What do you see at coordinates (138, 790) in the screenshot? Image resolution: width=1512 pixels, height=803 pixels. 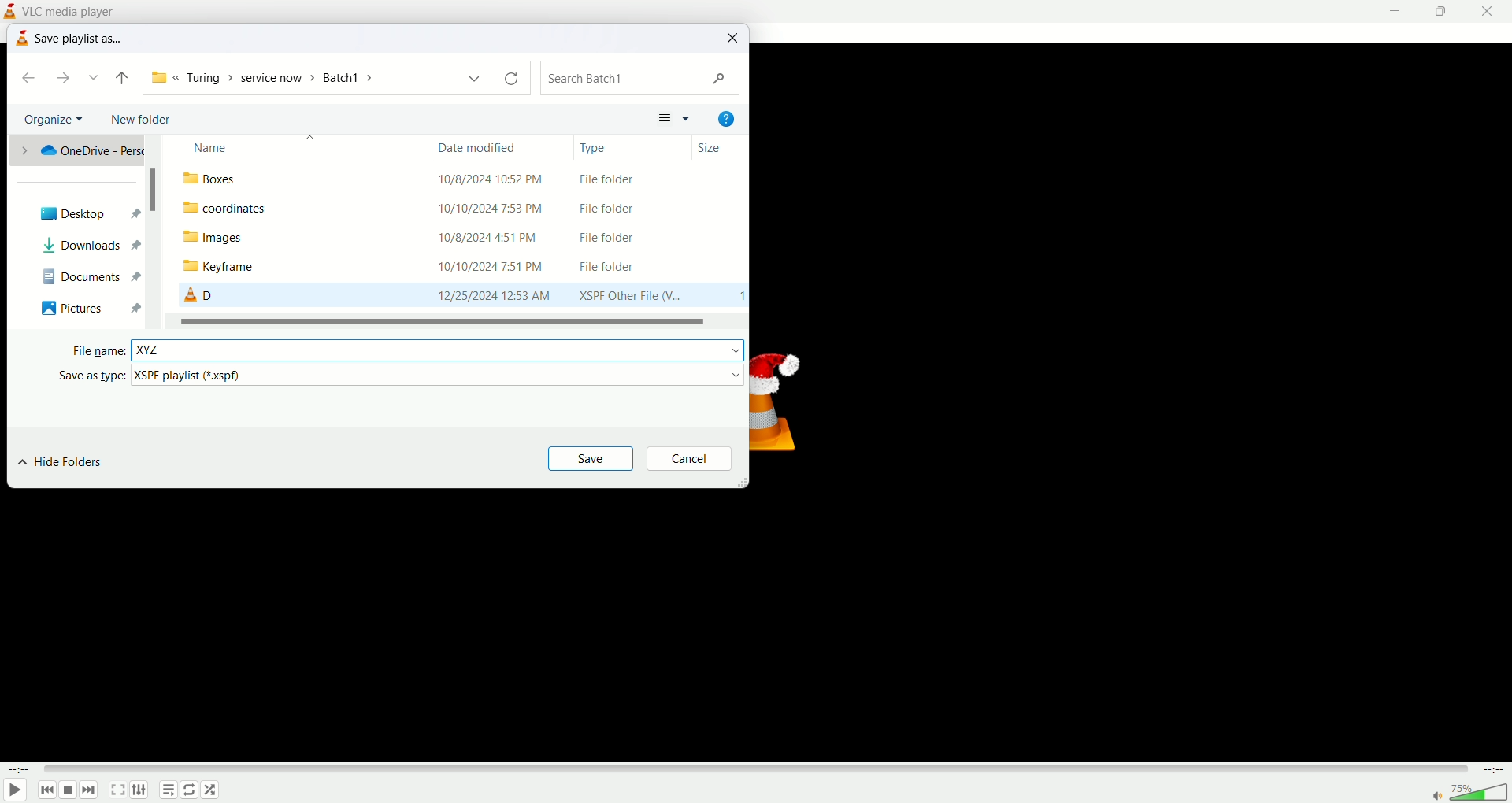 I see `extended settings` at bounding box center [138, 790].